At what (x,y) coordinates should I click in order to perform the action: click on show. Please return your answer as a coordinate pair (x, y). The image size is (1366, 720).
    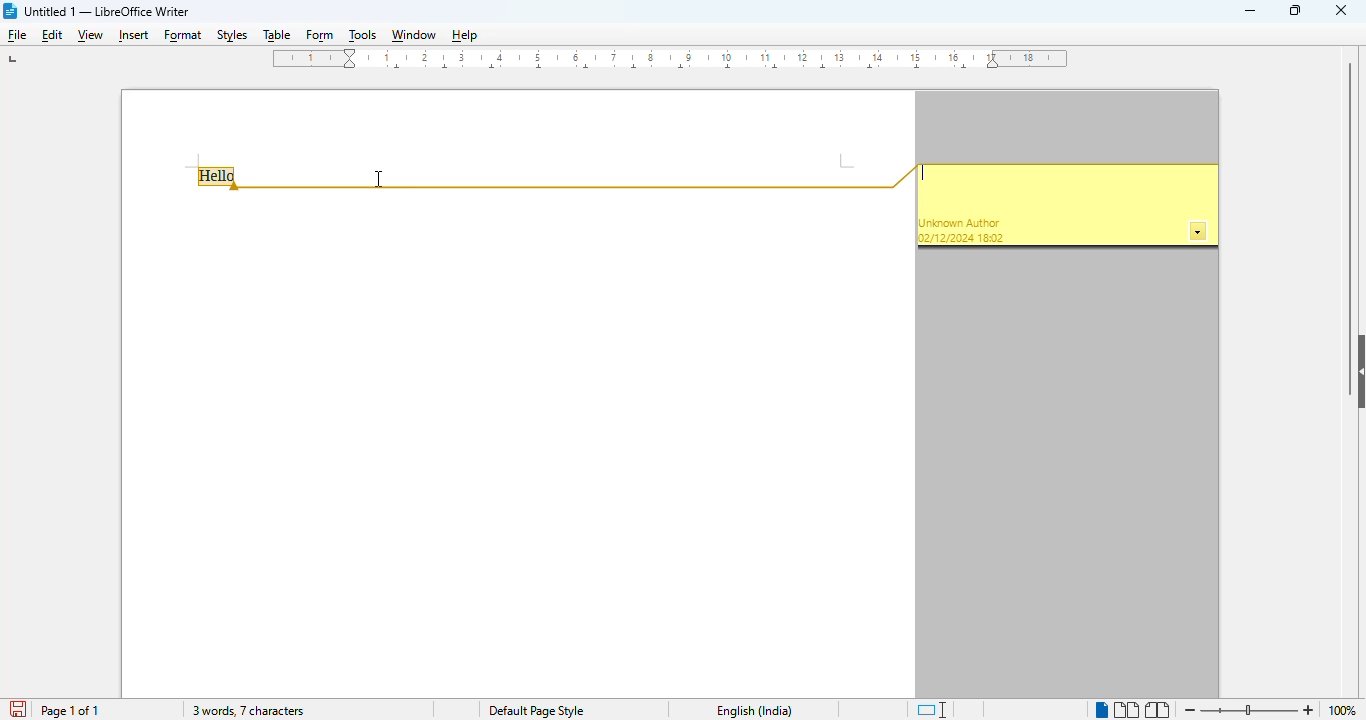
    Looking at the image, I should click on (1357, 372).